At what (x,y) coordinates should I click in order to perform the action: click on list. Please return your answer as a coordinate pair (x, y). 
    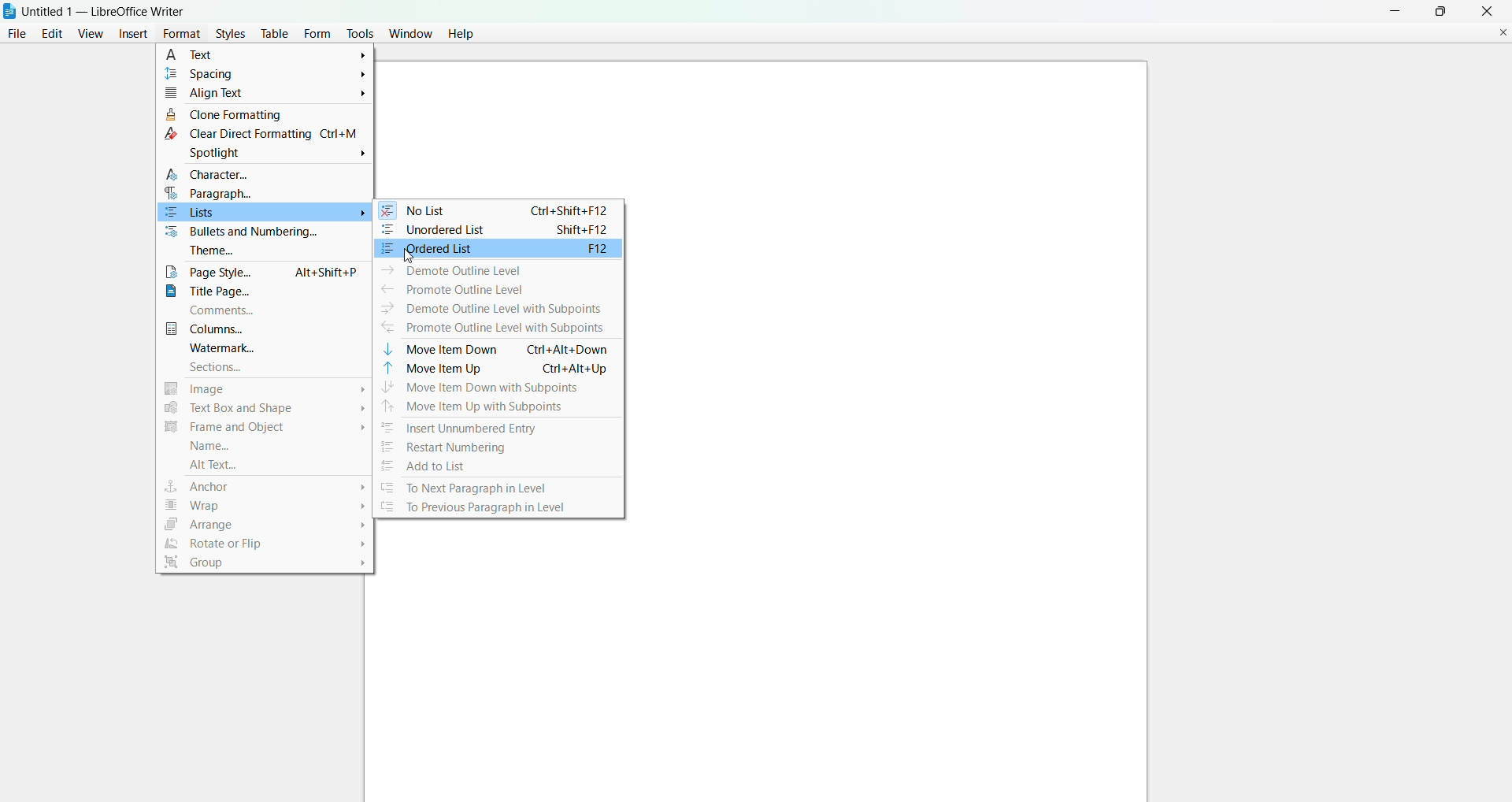
    Looking at the image, I should click on (262, 212).